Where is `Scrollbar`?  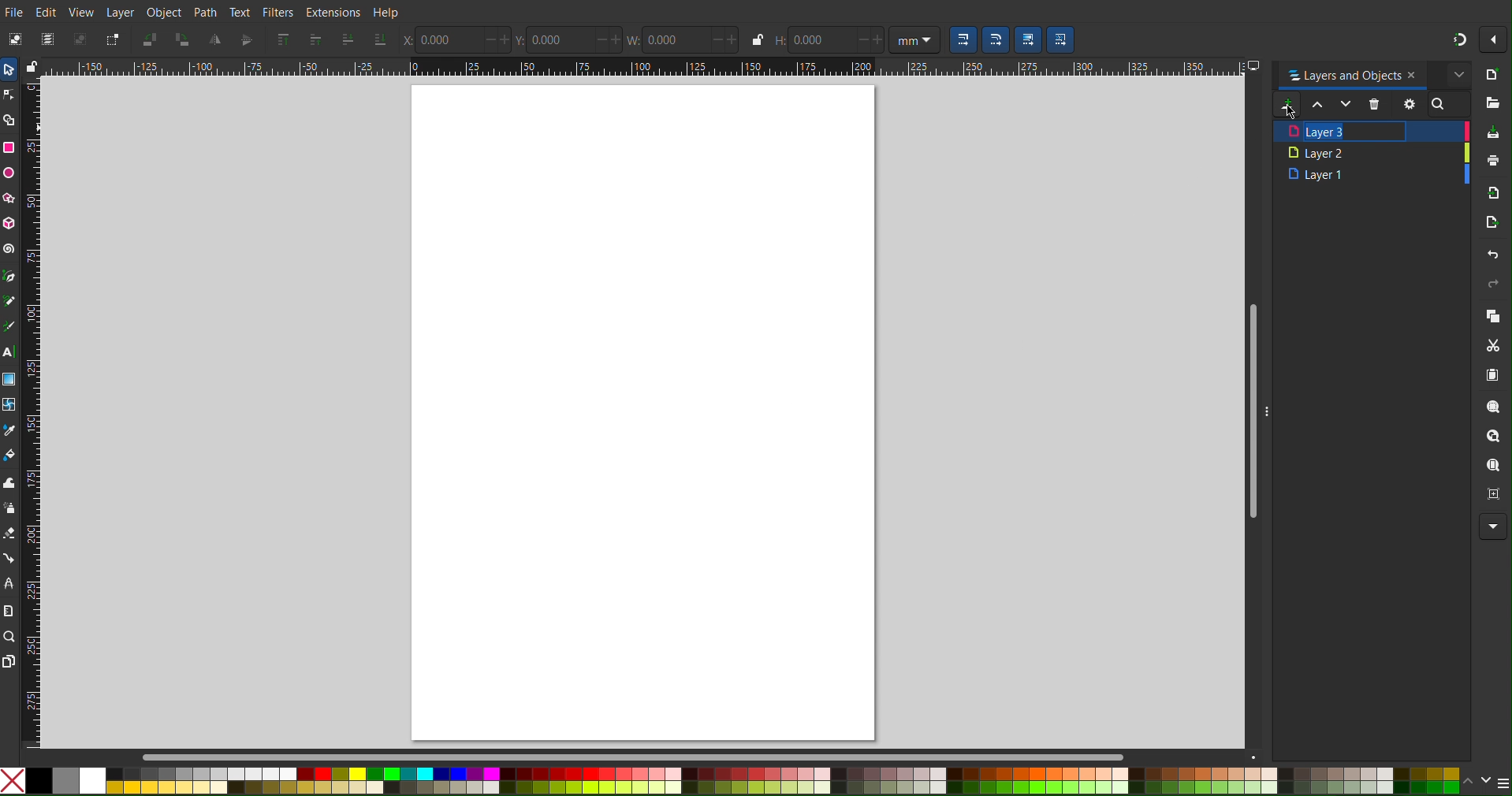
Scrollbar is located at coordinates (260, 757).